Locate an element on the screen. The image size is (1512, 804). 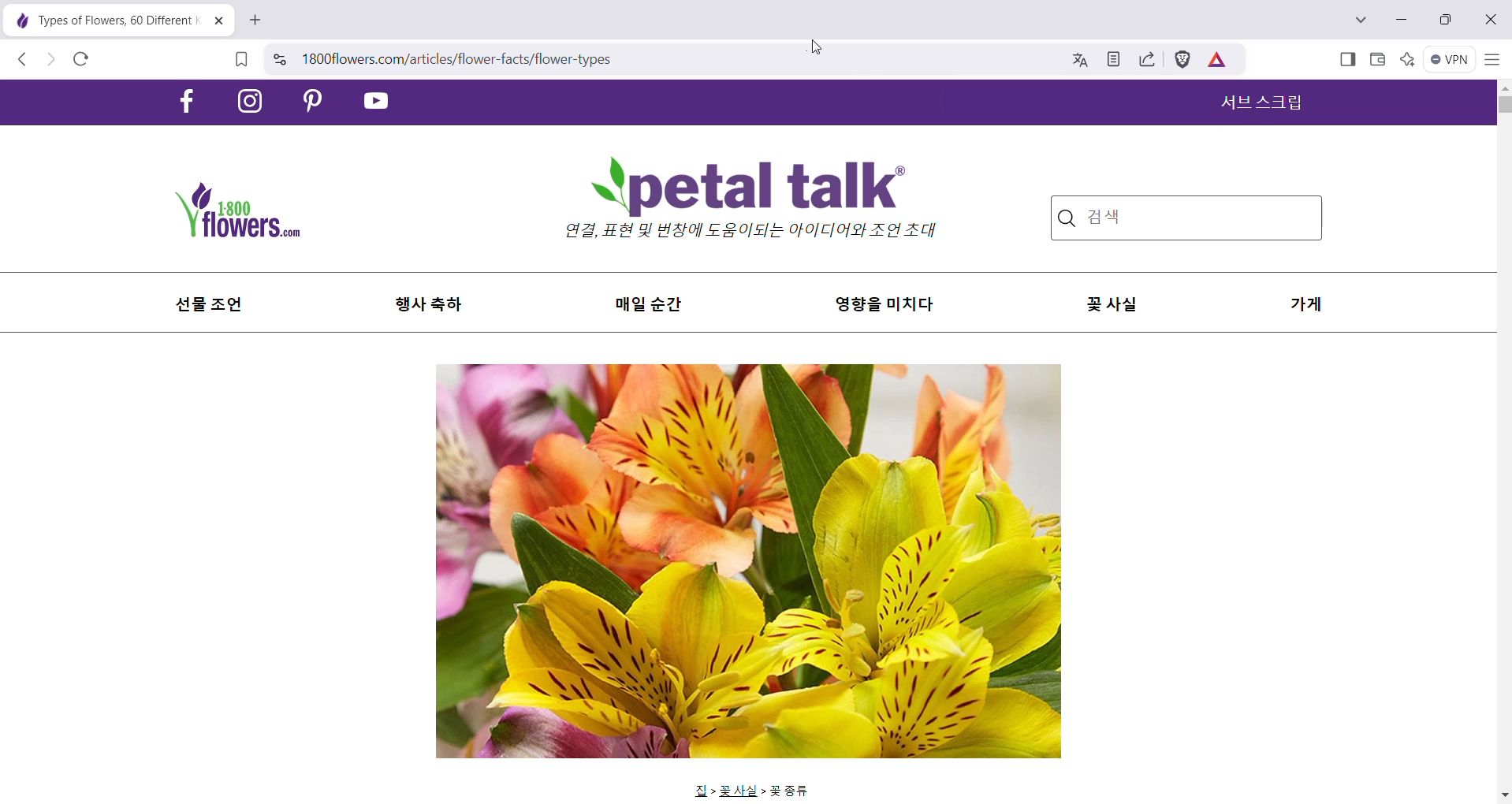
Minimize is located at coordinates (1399, 20).